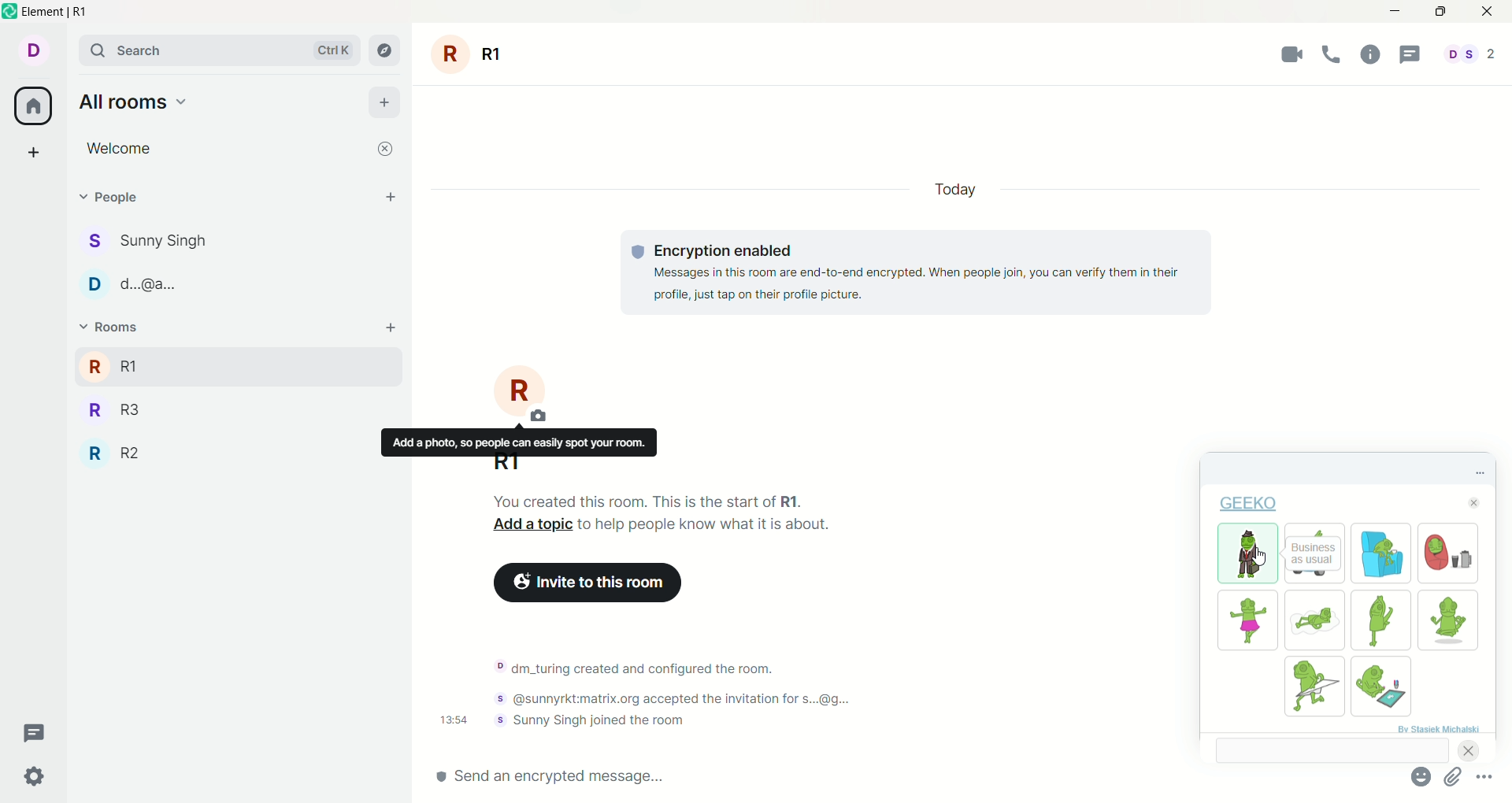 This screenshot has height=803, width=1512. Describe the element at coordinates (1395, 12) in the screenshot. I see `minimize` at that location.